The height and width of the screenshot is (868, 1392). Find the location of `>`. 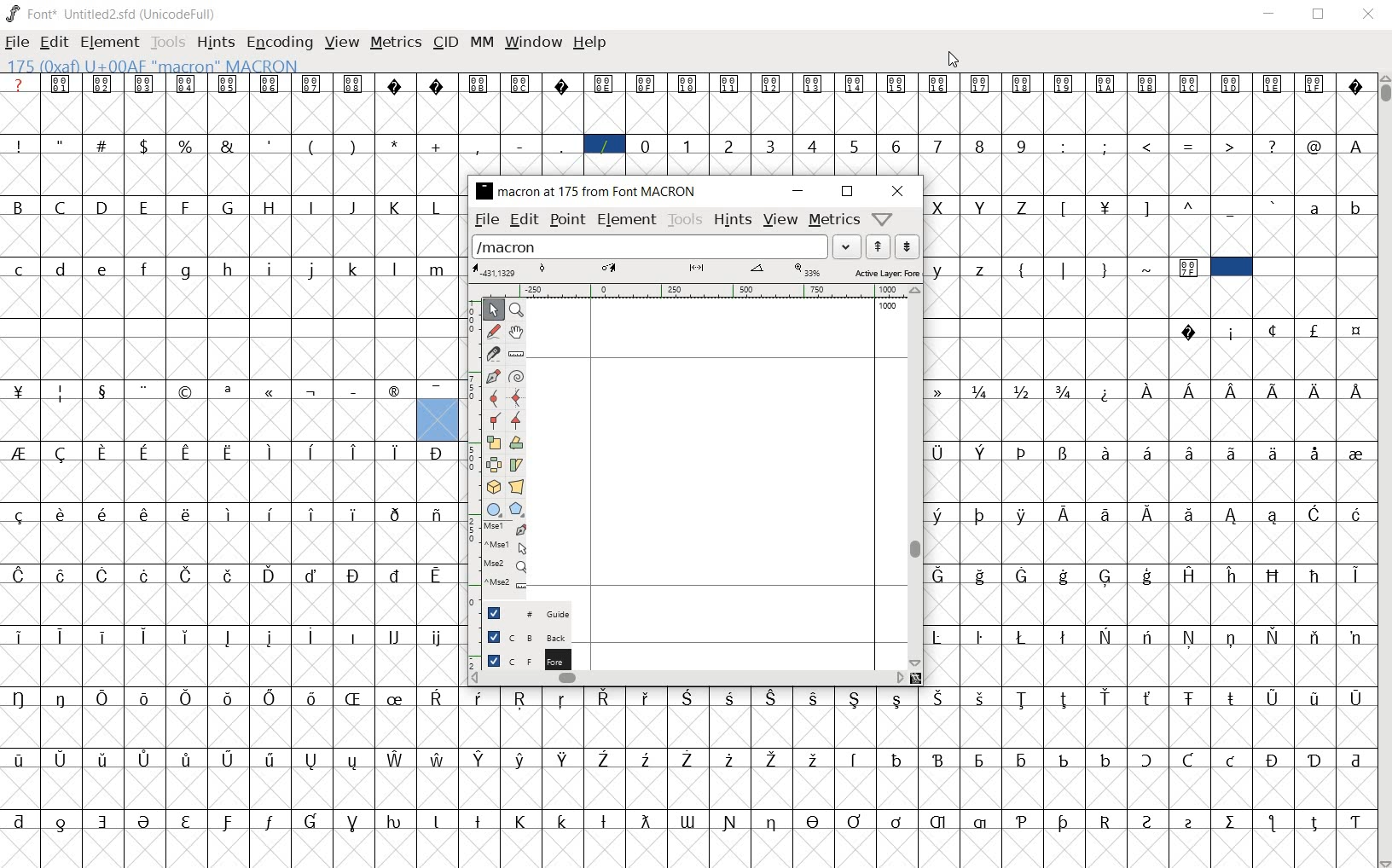

> is located at coordinates (1232, 145).